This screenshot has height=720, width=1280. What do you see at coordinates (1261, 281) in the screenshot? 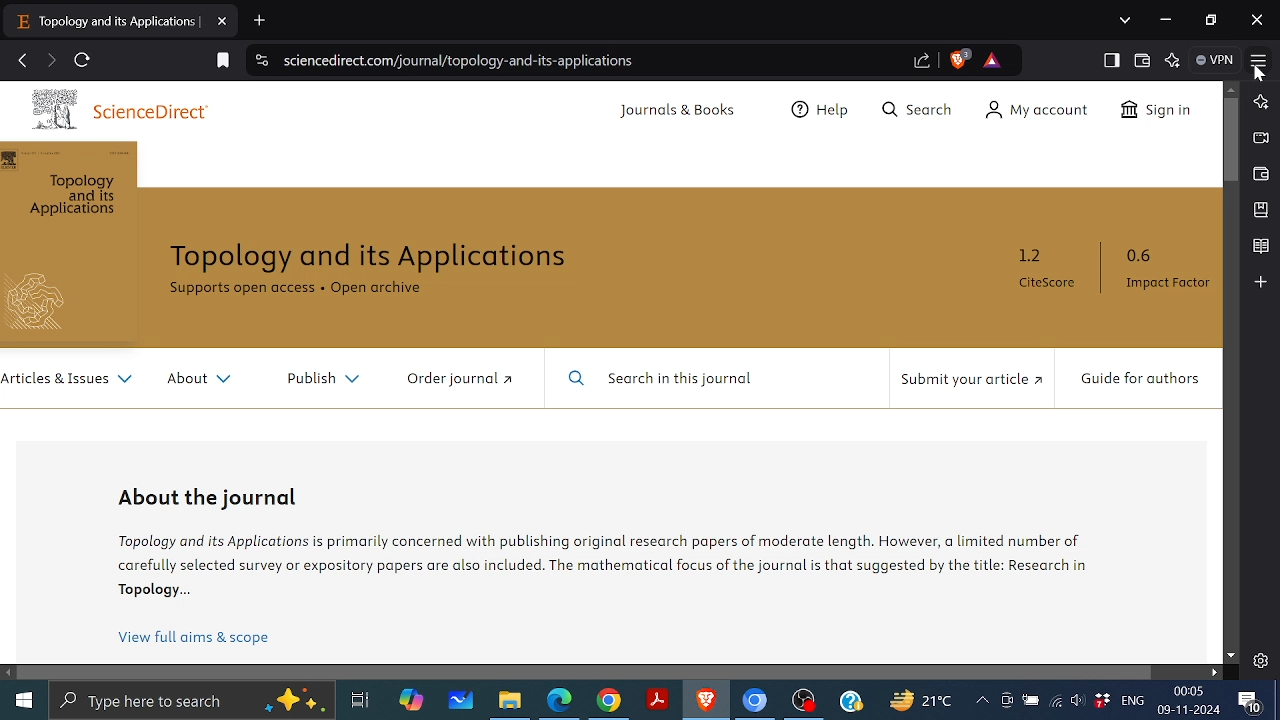
I see `Add sidebar` at bounding box center [1261, 281].